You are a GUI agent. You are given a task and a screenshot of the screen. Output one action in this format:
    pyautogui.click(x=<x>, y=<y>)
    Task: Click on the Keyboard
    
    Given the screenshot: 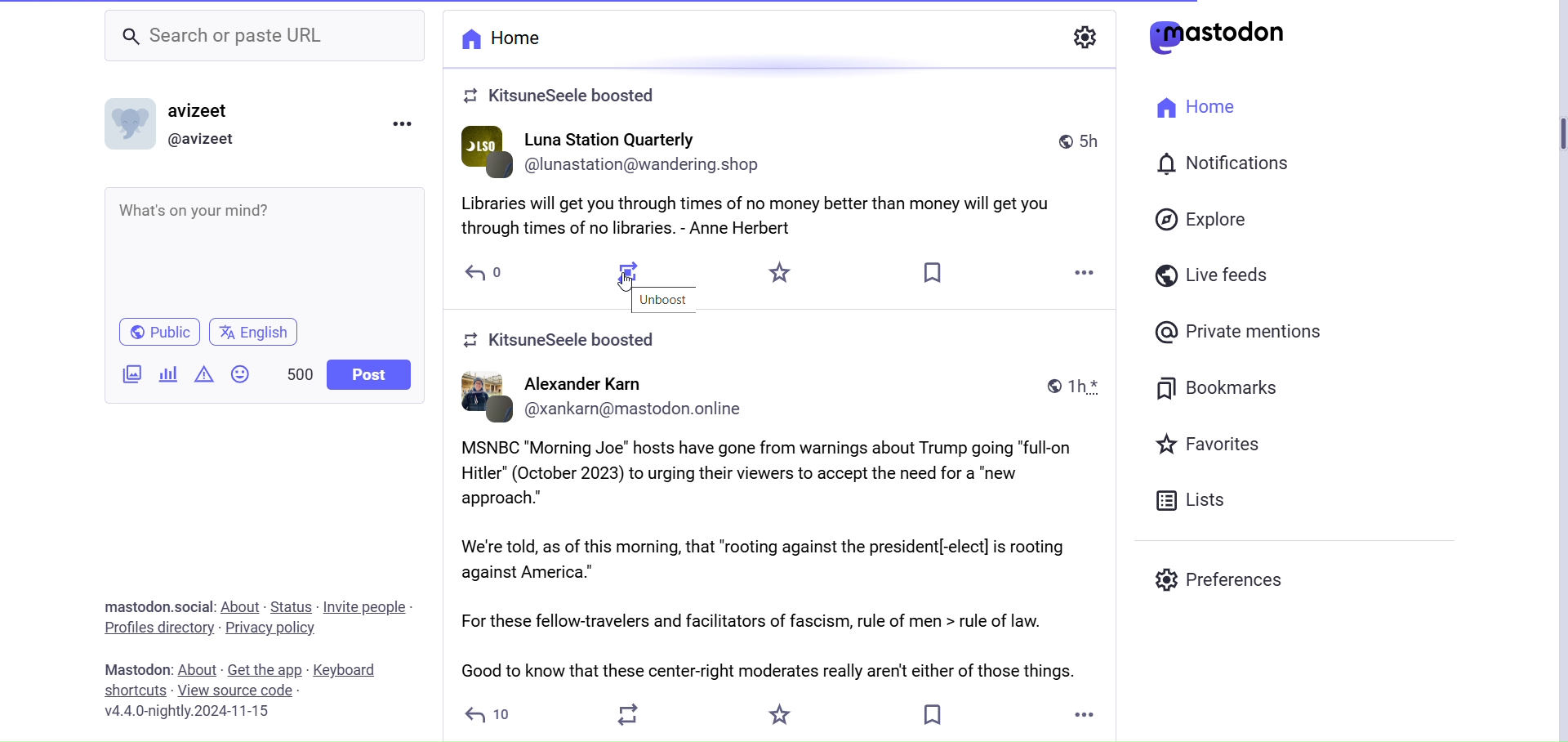 What is the action you would take?
    pyautogui.click(x=345, y=669)
    